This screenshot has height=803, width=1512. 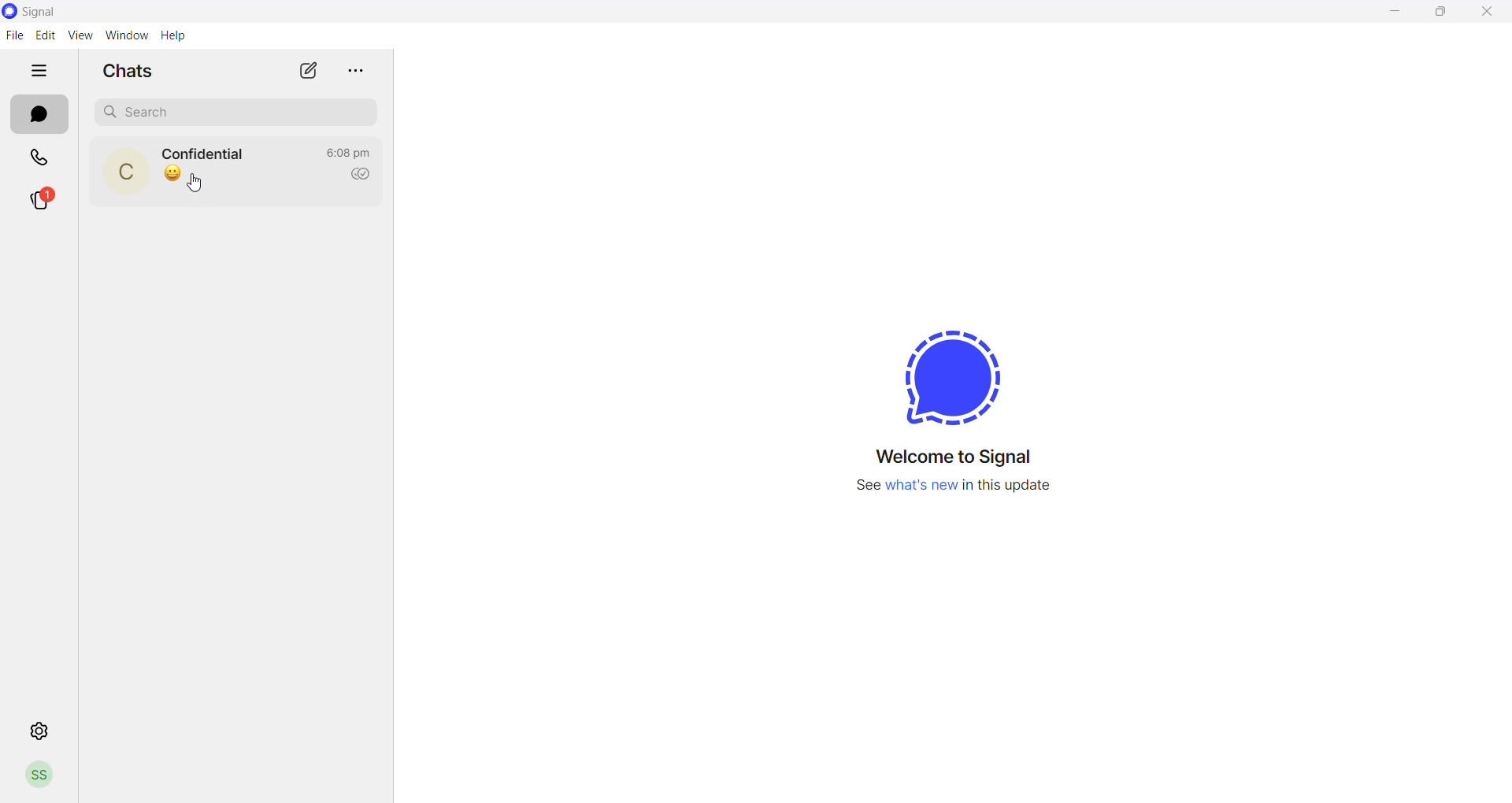 What do you see at coordinates (240, 111) in the screenshot?
I see `search chat` at bounding box center [240, 111].